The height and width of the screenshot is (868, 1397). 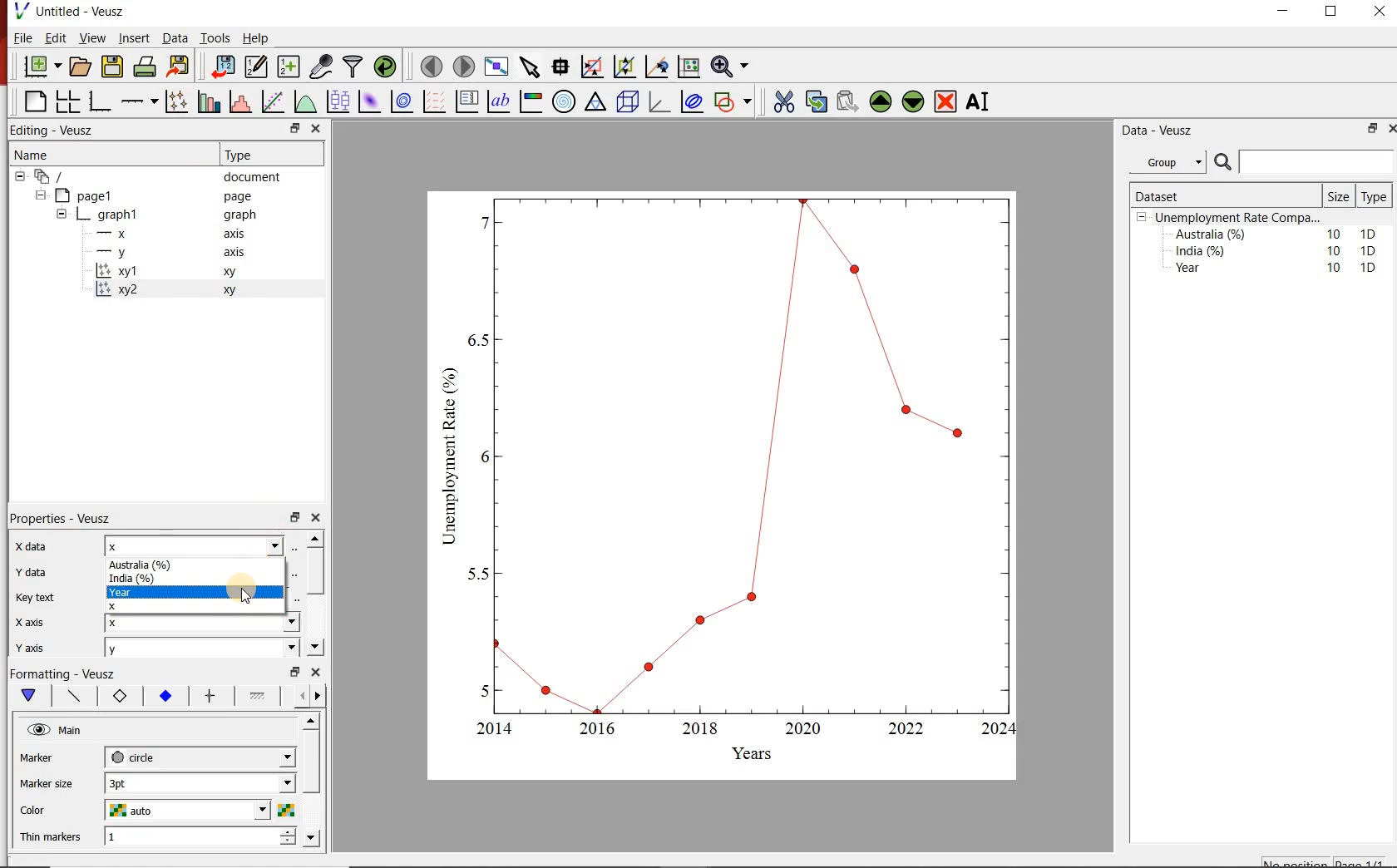 What do you see at coordinates (105, 153) in the screenshot?
I see `Name` at bounding box center [105, 153].